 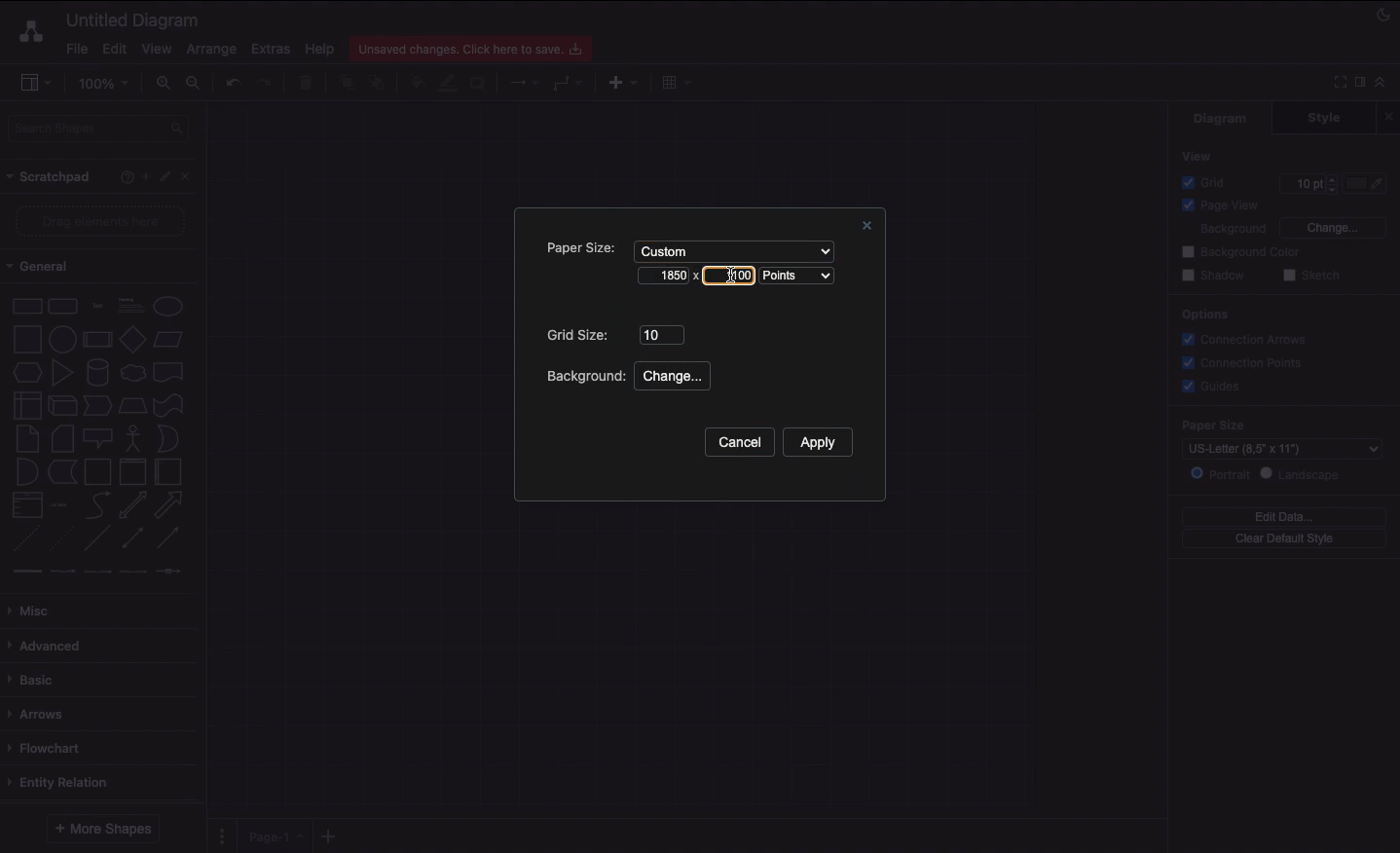 I want to click on Cursor, so click(x=733, y=277).